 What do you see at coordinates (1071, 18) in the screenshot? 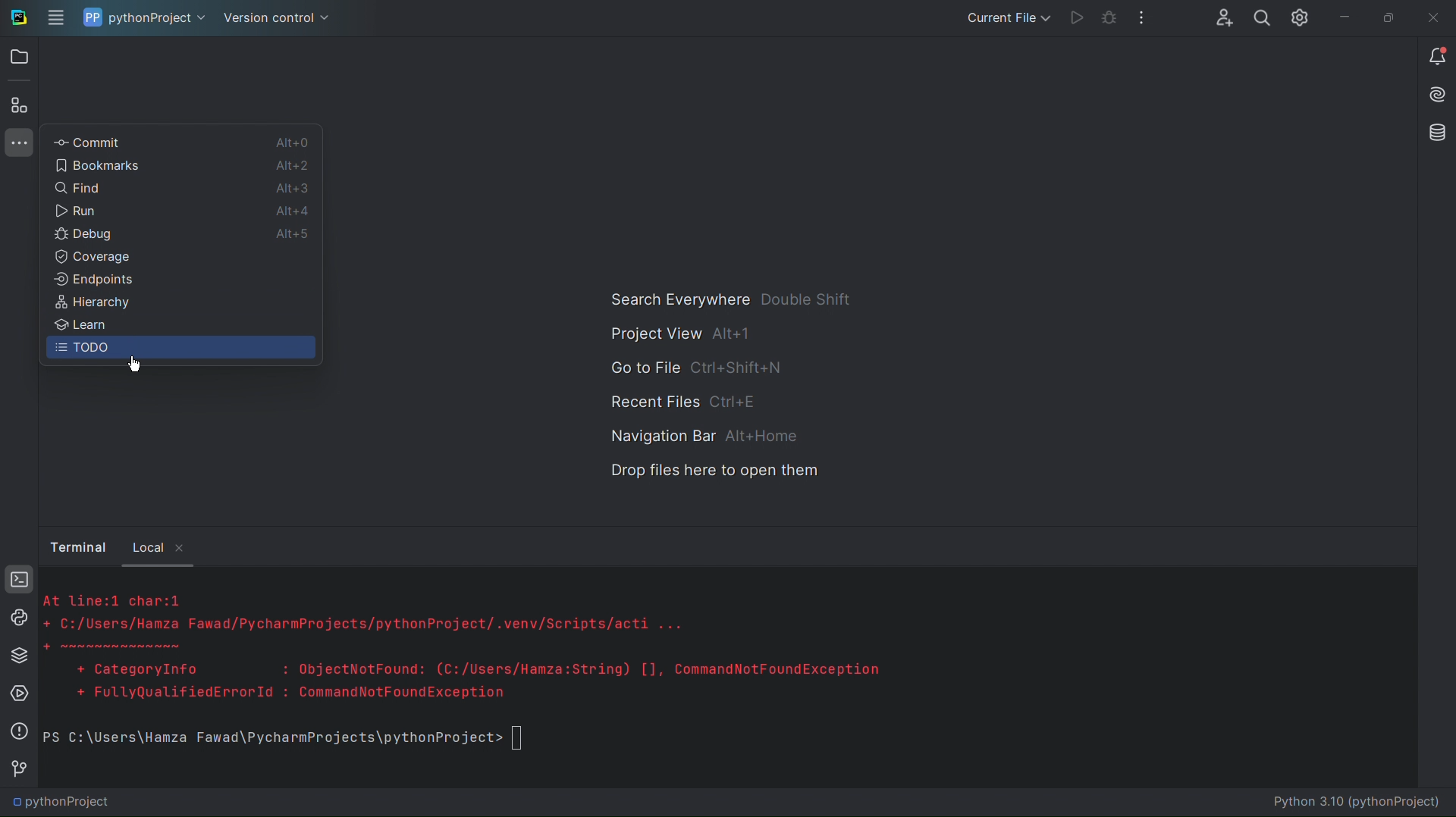
I see `Run ` at bounding box center [1071, 18].